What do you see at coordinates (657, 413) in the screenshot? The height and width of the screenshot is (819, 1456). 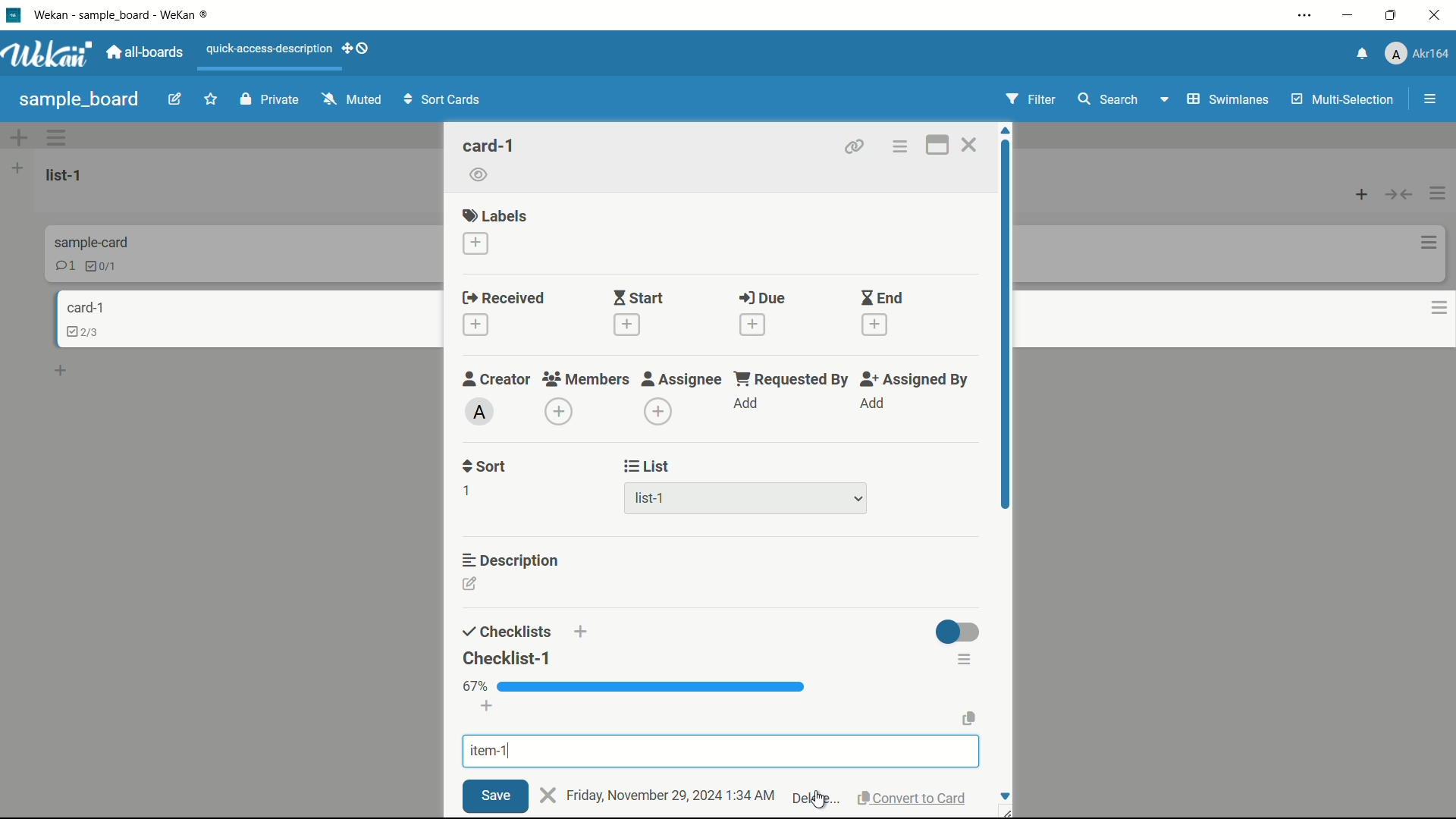 I see `add assignee` at bounding box center [657, 413].